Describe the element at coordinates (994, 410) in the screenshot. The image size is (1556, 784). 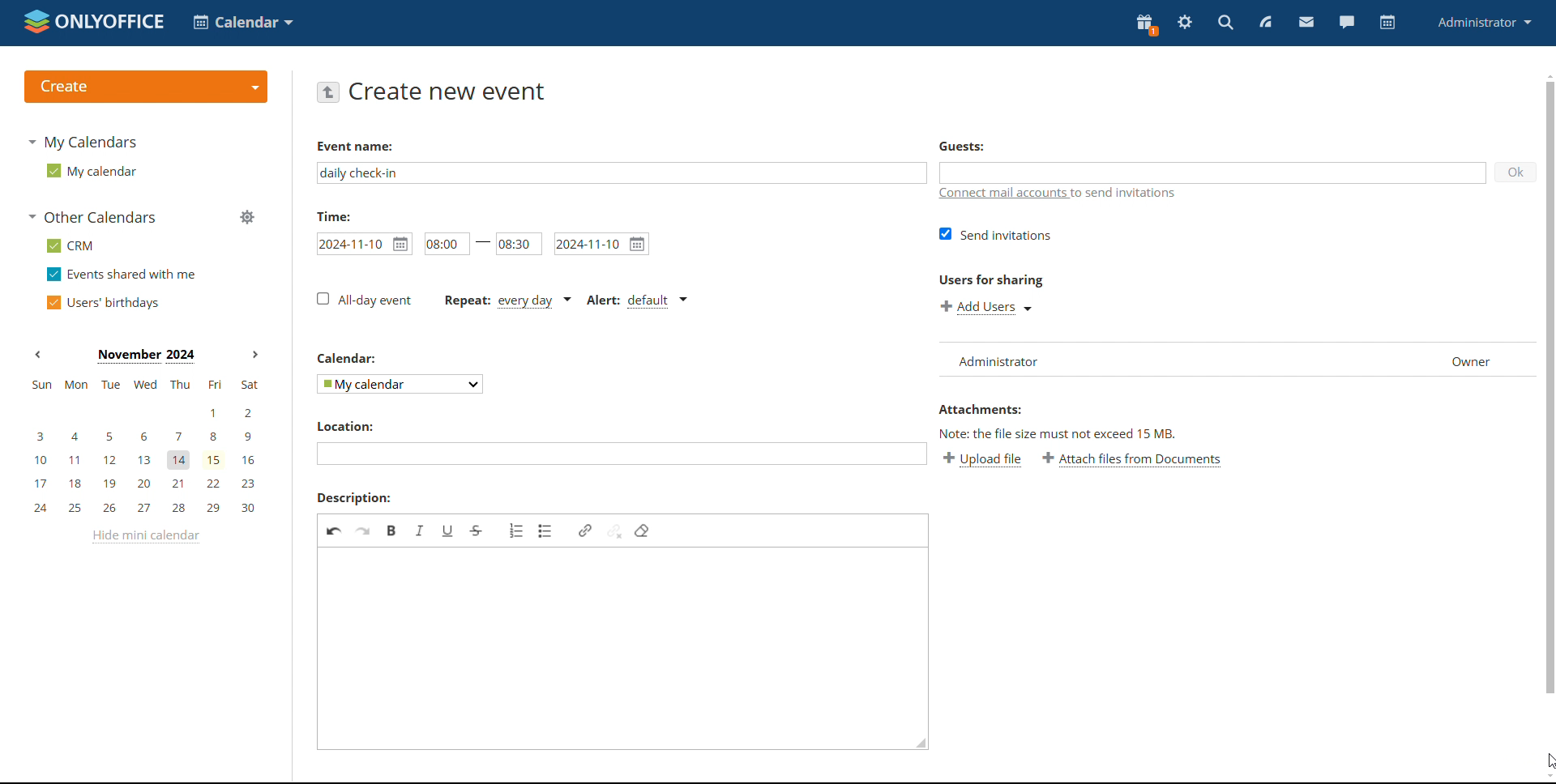
I see `attachment:` at that location.